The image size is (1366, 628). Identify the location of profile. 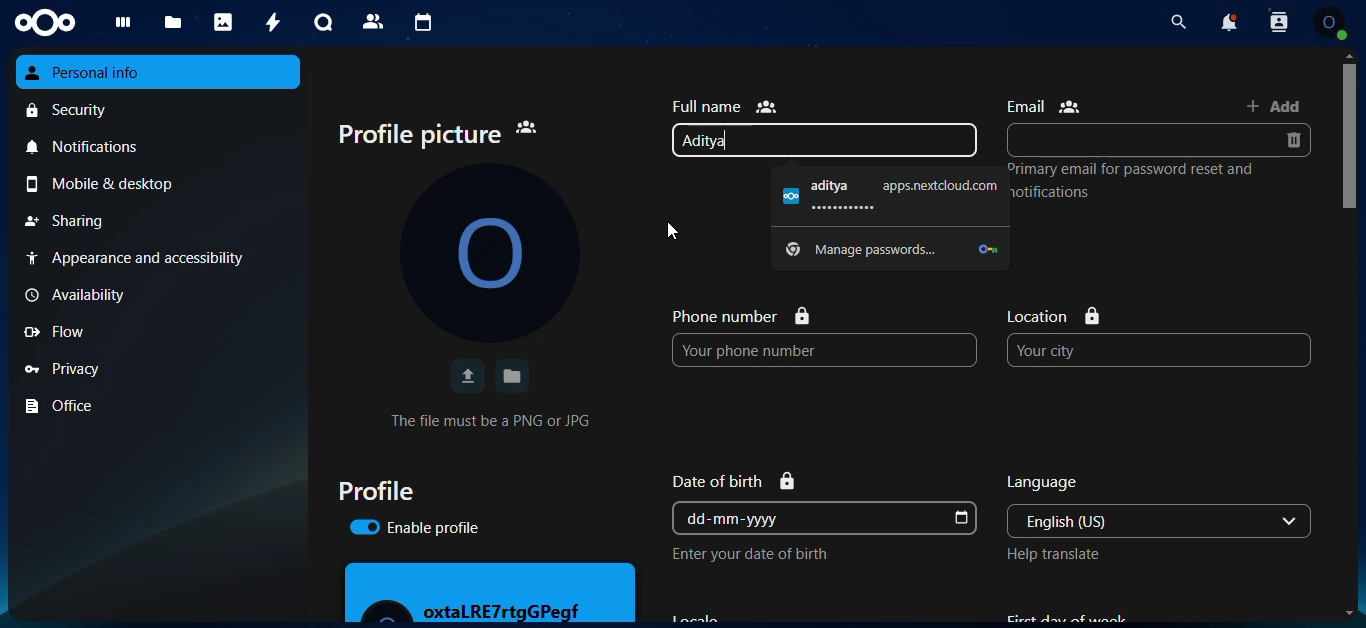
(375, 490).